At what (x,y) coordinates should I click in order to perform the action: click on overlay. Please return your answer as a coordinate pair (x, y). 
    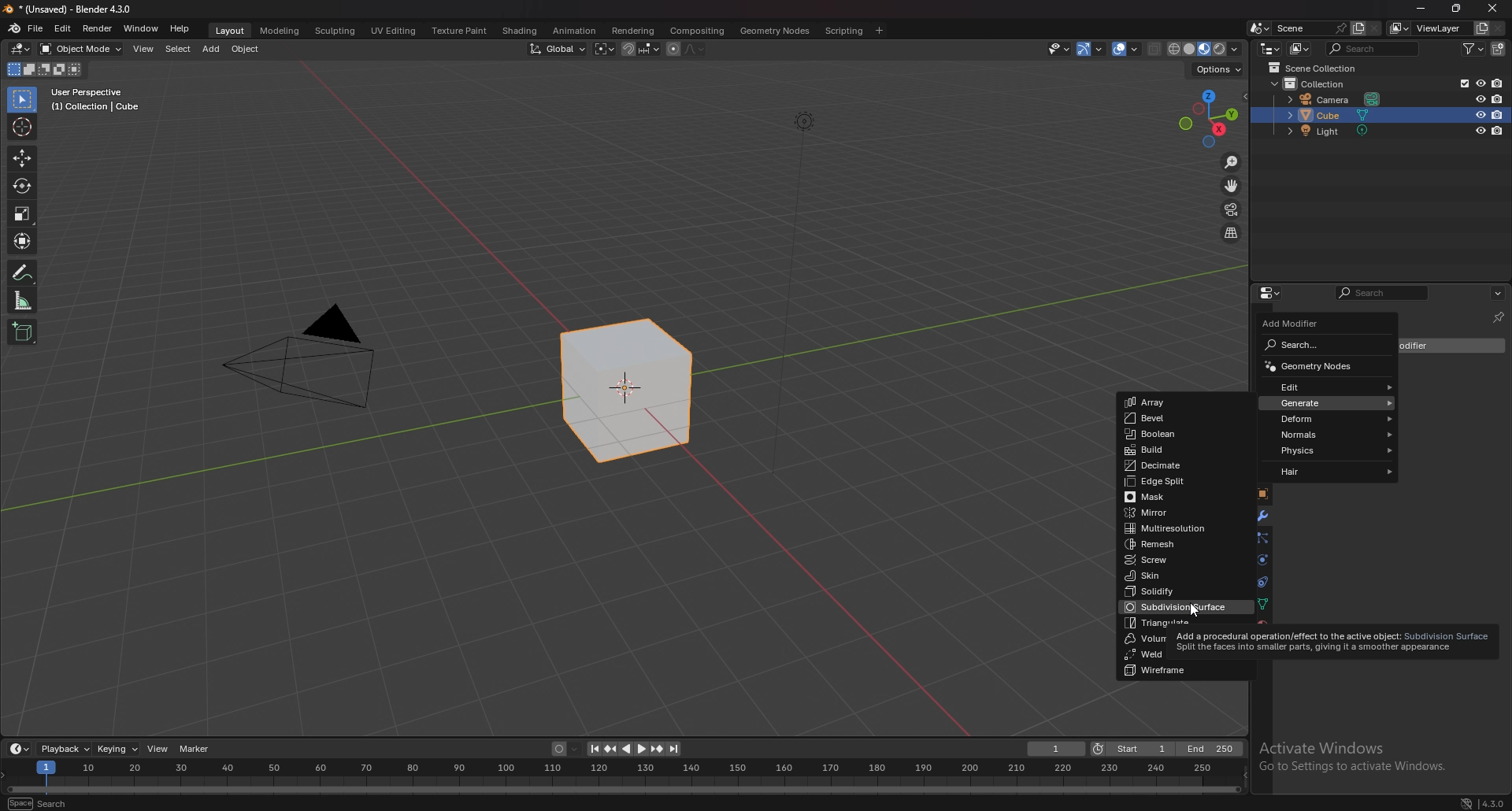
    Looking at the image, I should click on (1128, 49).